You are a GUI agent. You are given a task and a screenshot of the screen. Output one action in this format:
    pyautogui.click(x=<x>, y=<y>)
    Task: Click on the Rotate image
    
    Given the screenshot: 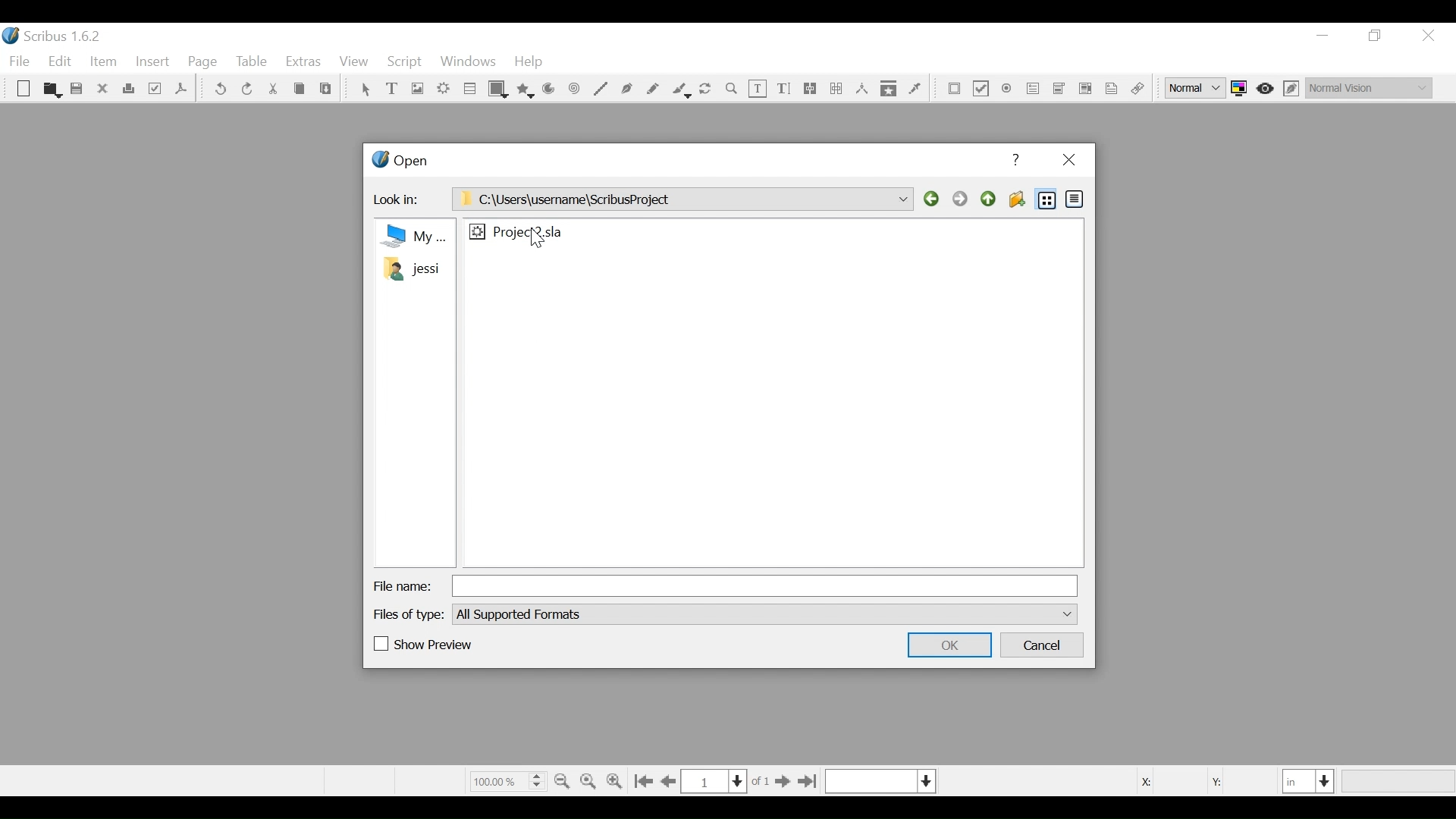 What is the action you would take?
    pyautogui.click(x=707, y=89)
    